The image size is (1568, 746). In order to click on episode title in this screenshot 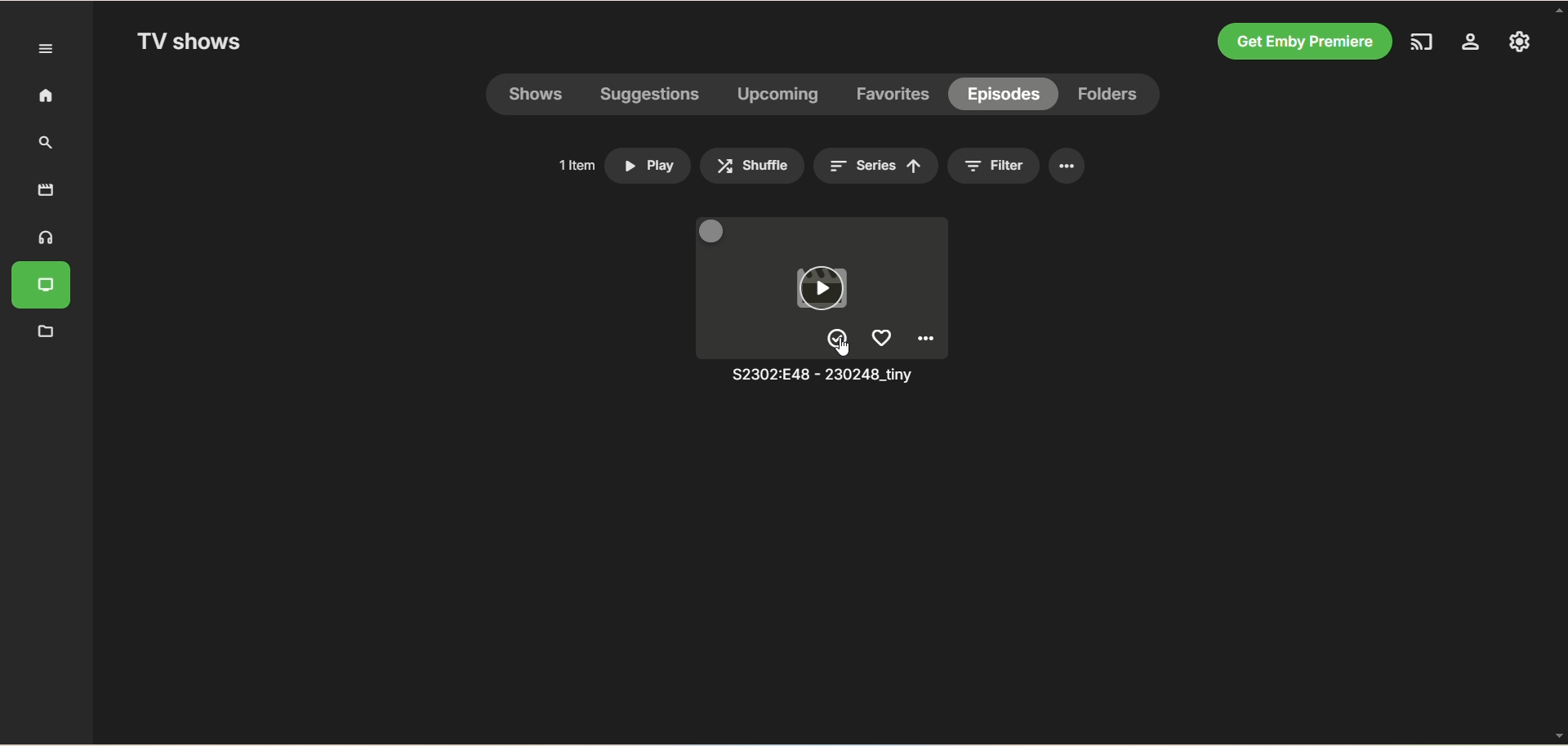, I will do `click(816, 377)`.